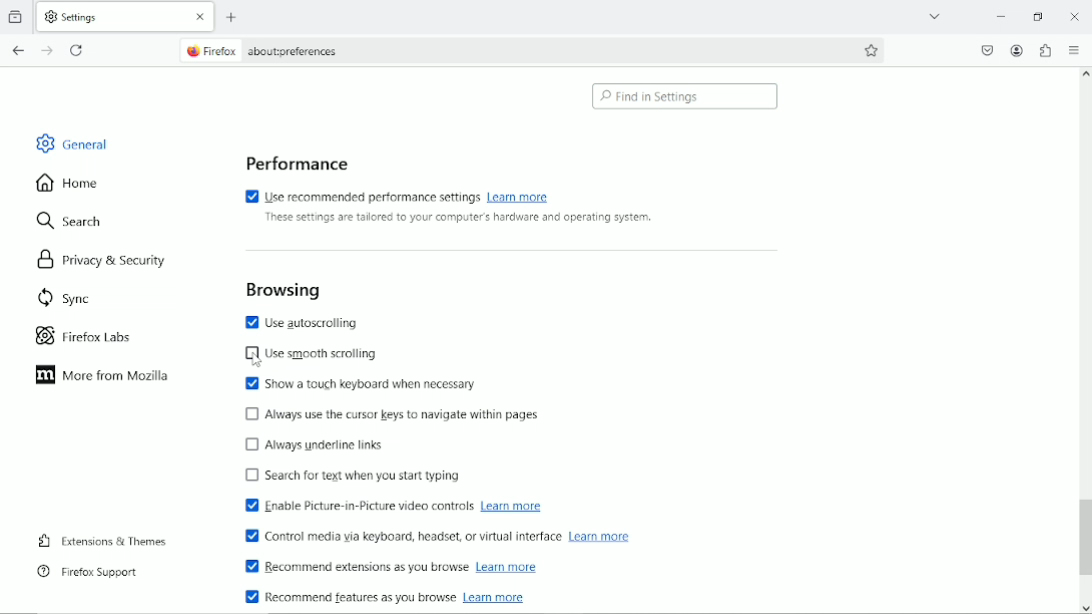  I want to click on search for text when you start typing, so click(353, 477).